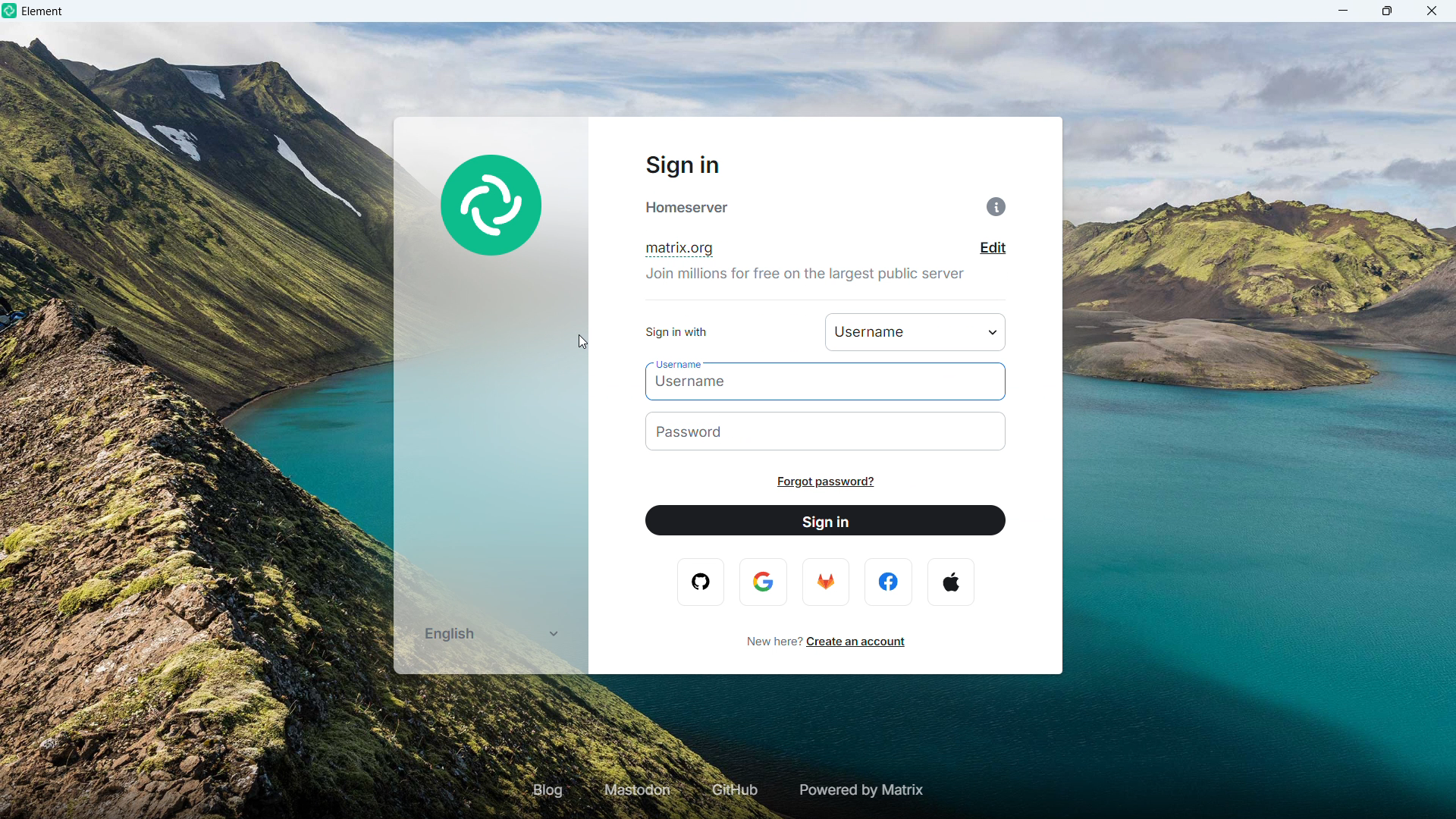 This screenshot has height=819, width=1456. I want to click on Information , so click(996, 207).